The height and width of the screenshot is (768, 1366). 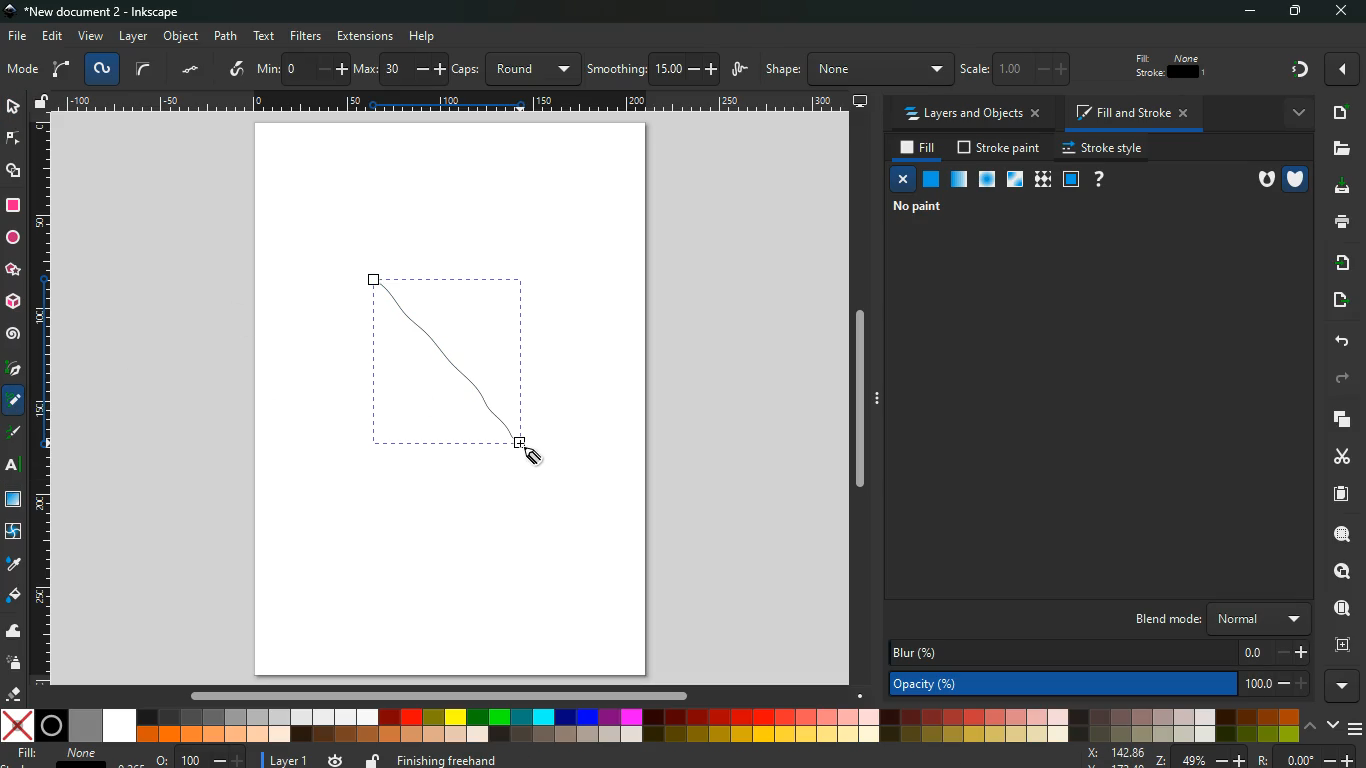 What do you see at coordinates (305, 36) in the screenshot?
I see `filters` at bounding box center [305, 36].